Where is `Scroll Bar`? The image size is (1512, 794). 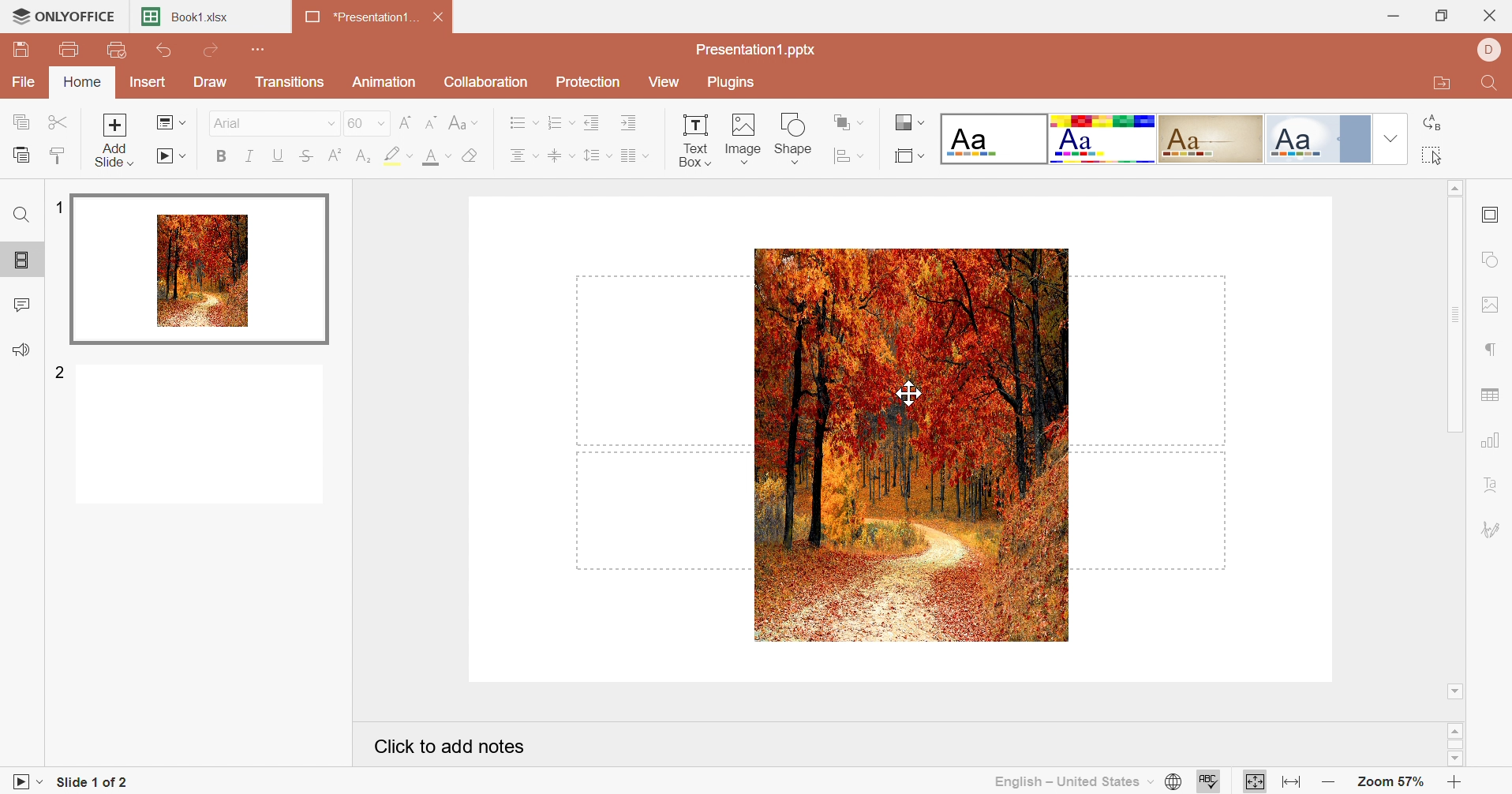
Scroll Bar is located at coordinates (1456, 744).